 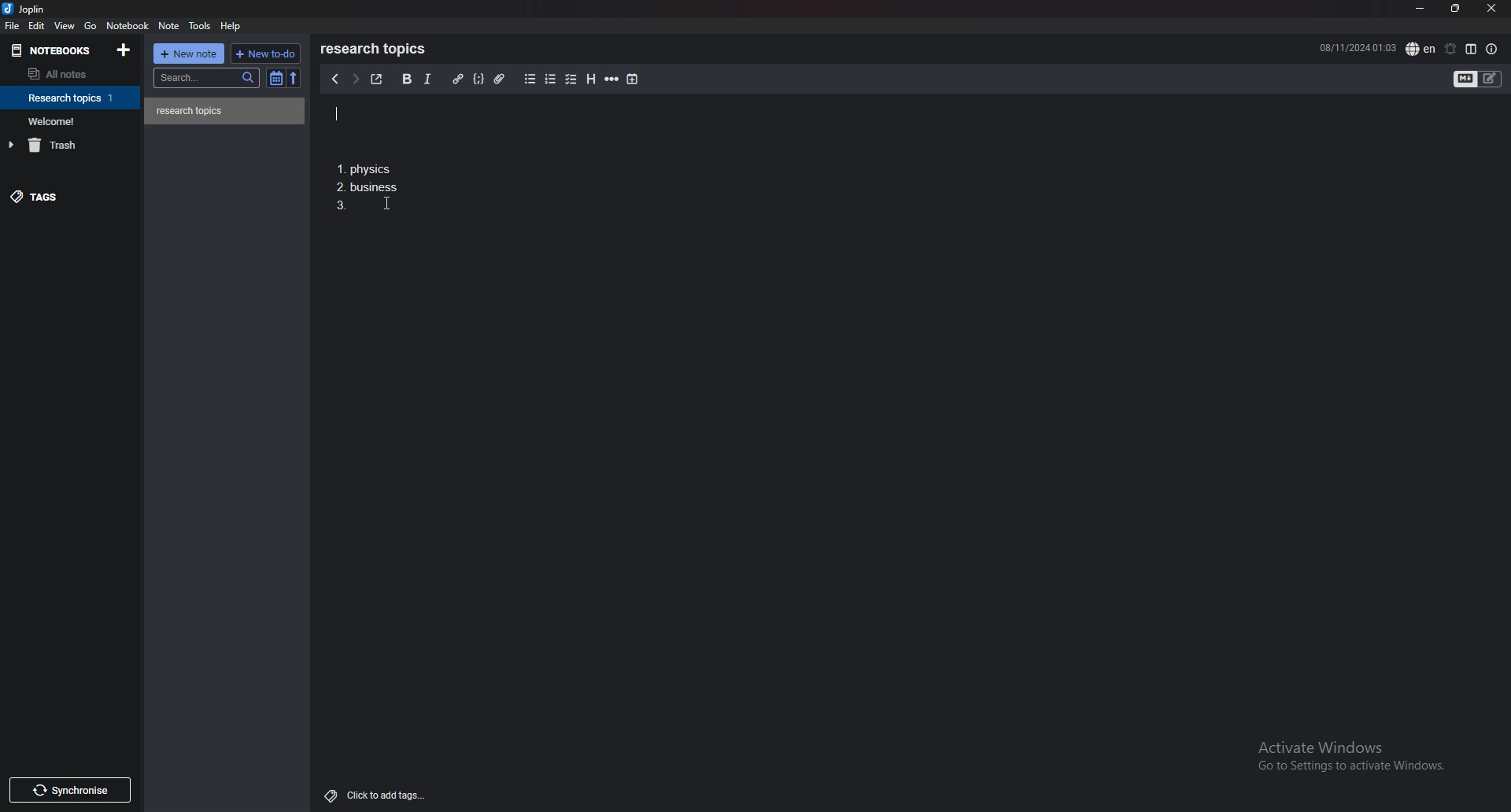 What do you see at coordinates (375, 79) in the screenshot?
I see `toggle external editor` at bounding box center [375, 79].